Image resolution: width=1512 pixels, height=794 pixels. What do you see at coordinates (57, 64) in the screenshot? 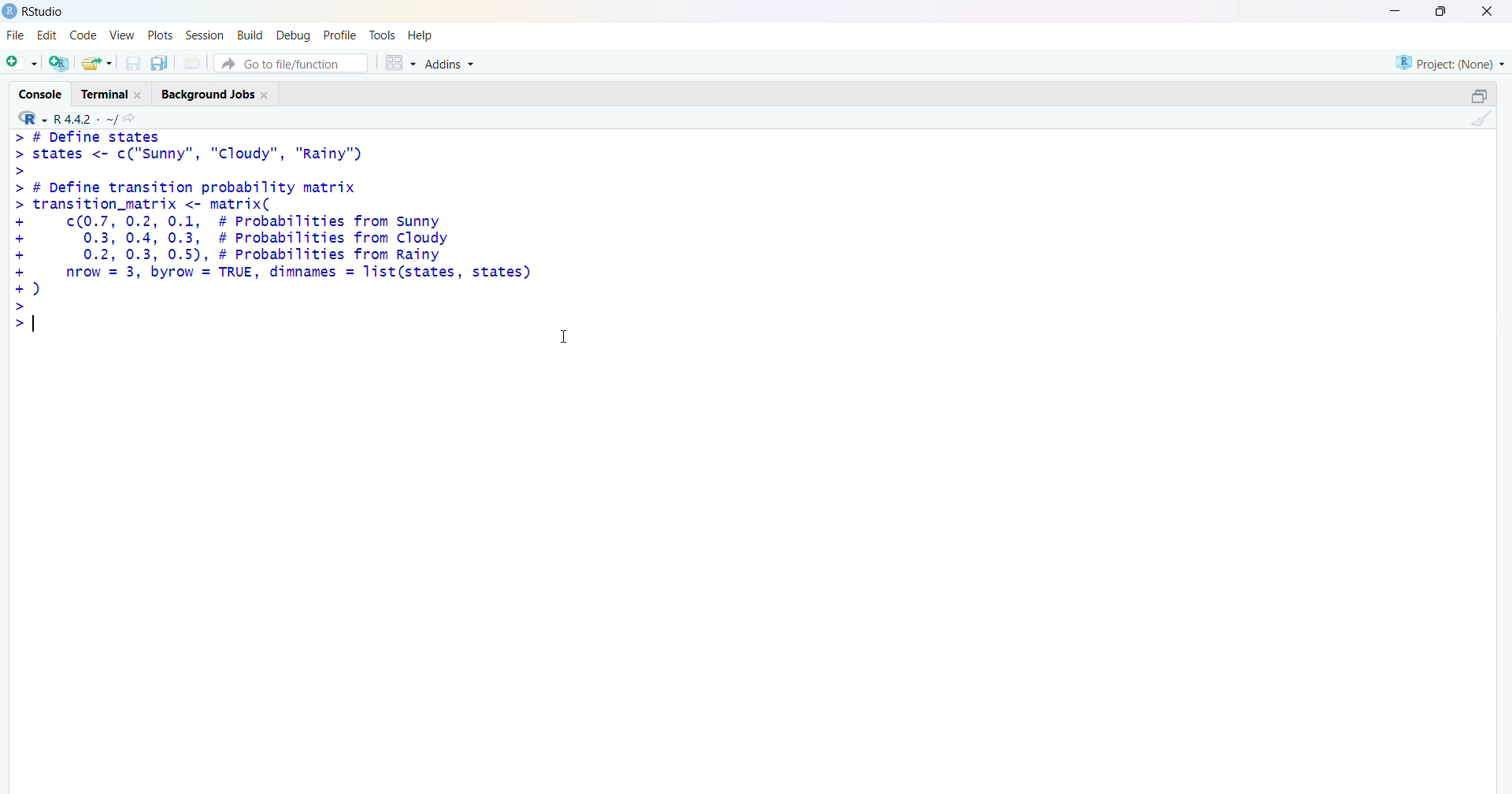
I see `create a project` at bounding box center [57, 64].